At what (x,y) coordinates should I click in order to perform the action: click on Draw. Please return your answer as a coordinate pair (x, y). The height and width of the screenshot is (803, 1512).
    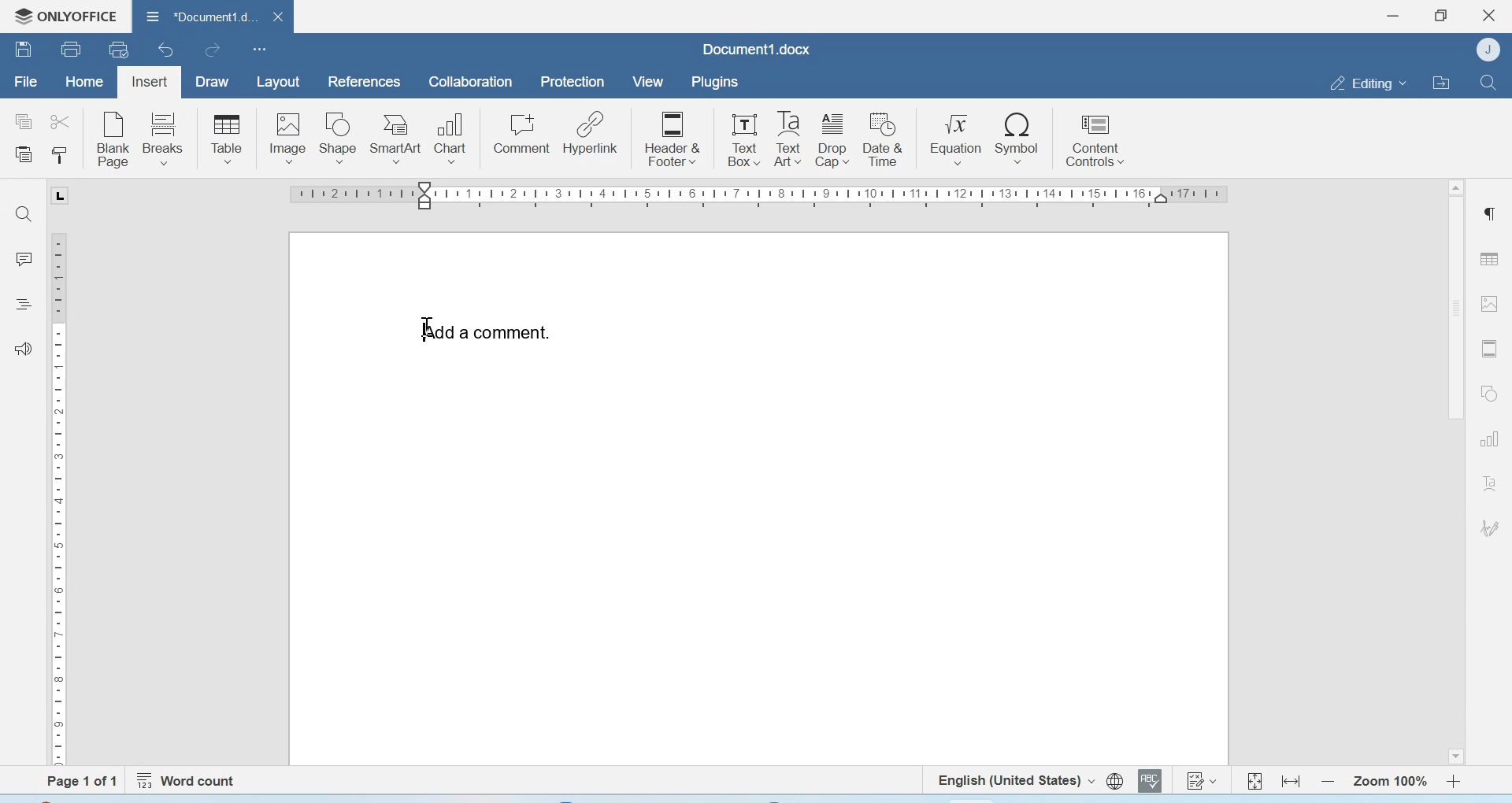
    Looking at the image, I should click on (213, 83).